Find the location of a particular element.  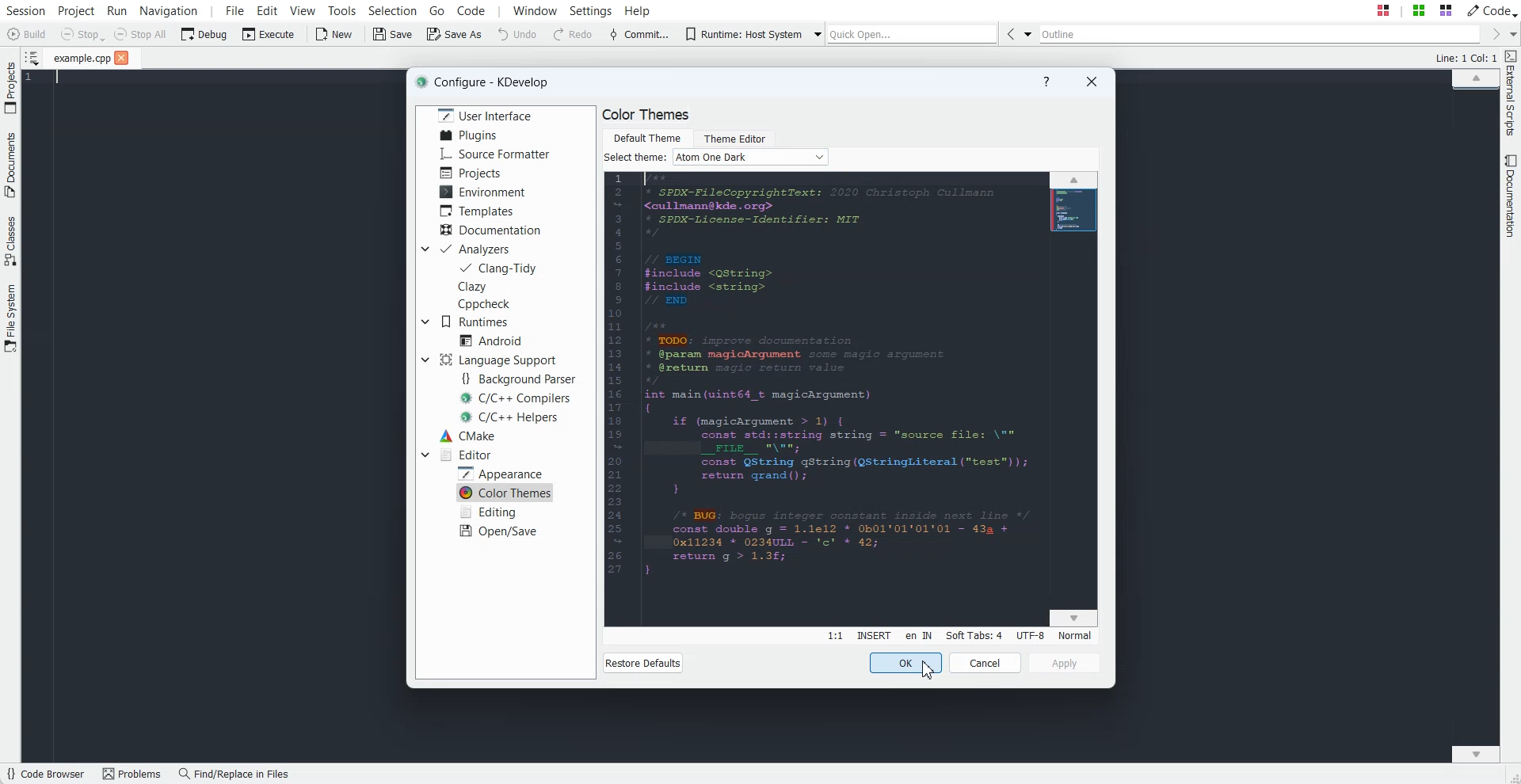

Normal is located at coordinates (1074, 635).